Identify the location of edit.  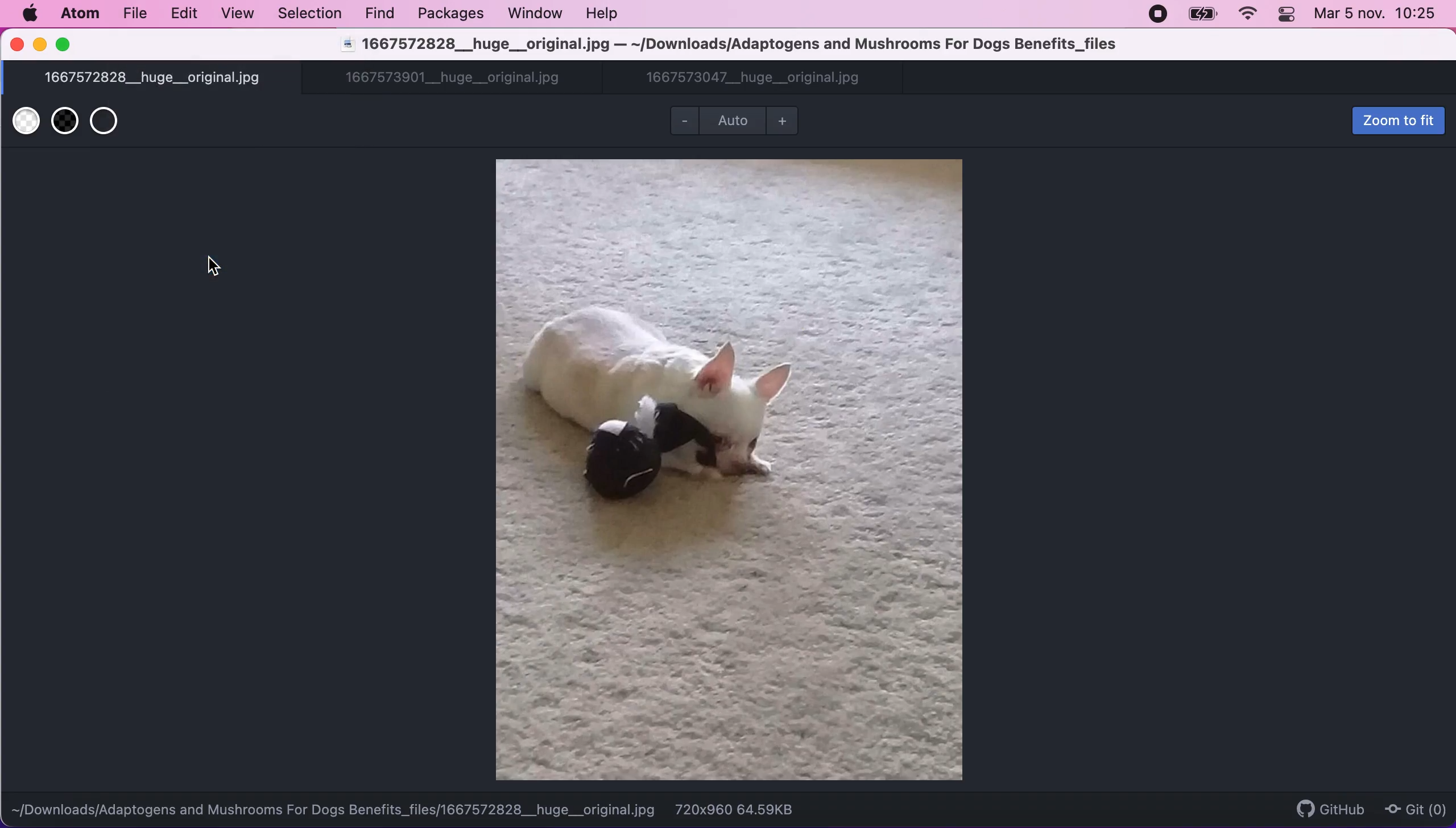
(185, 14).